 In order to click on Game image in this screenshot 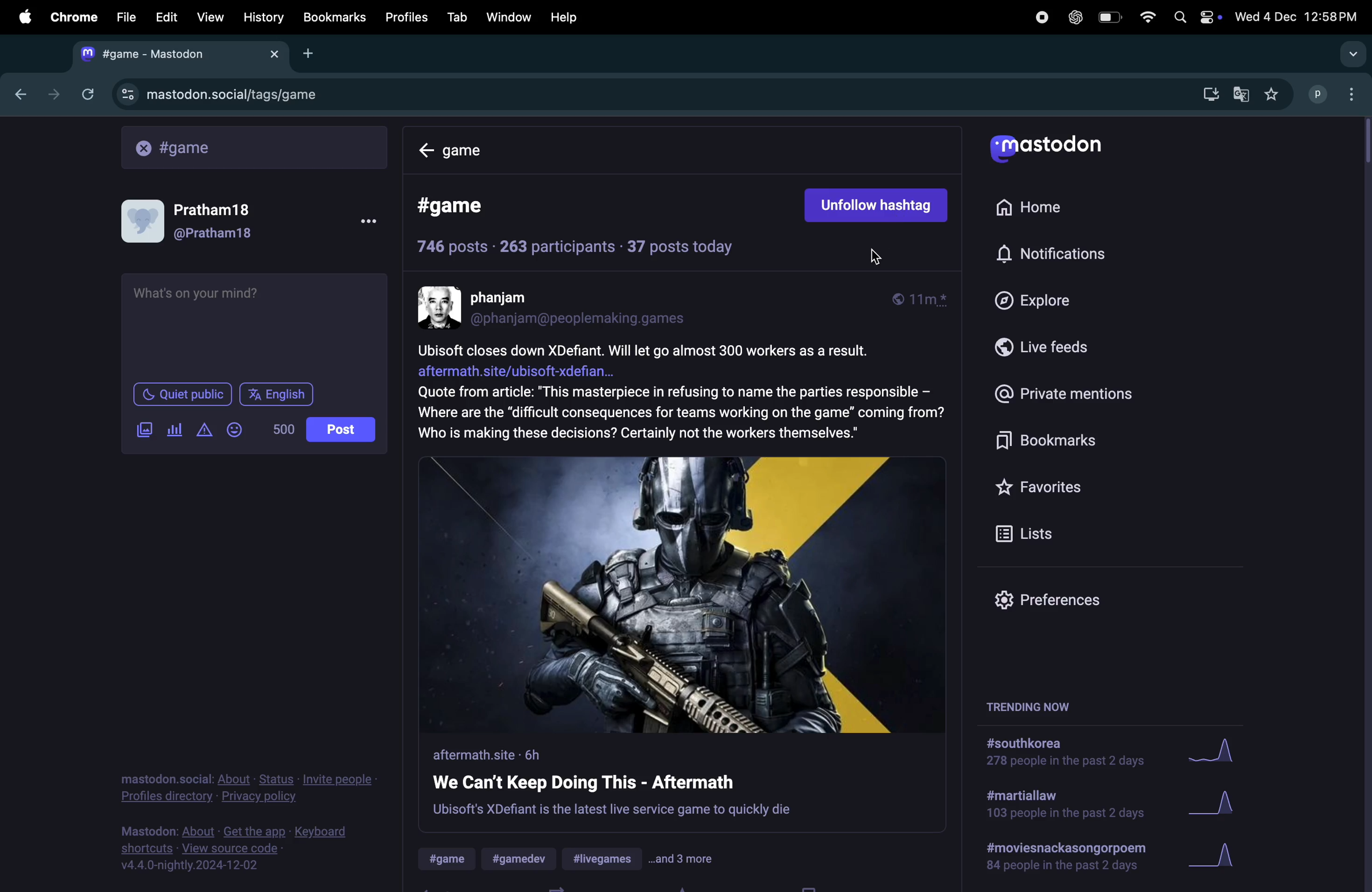, I will do `click(684, 593)`.